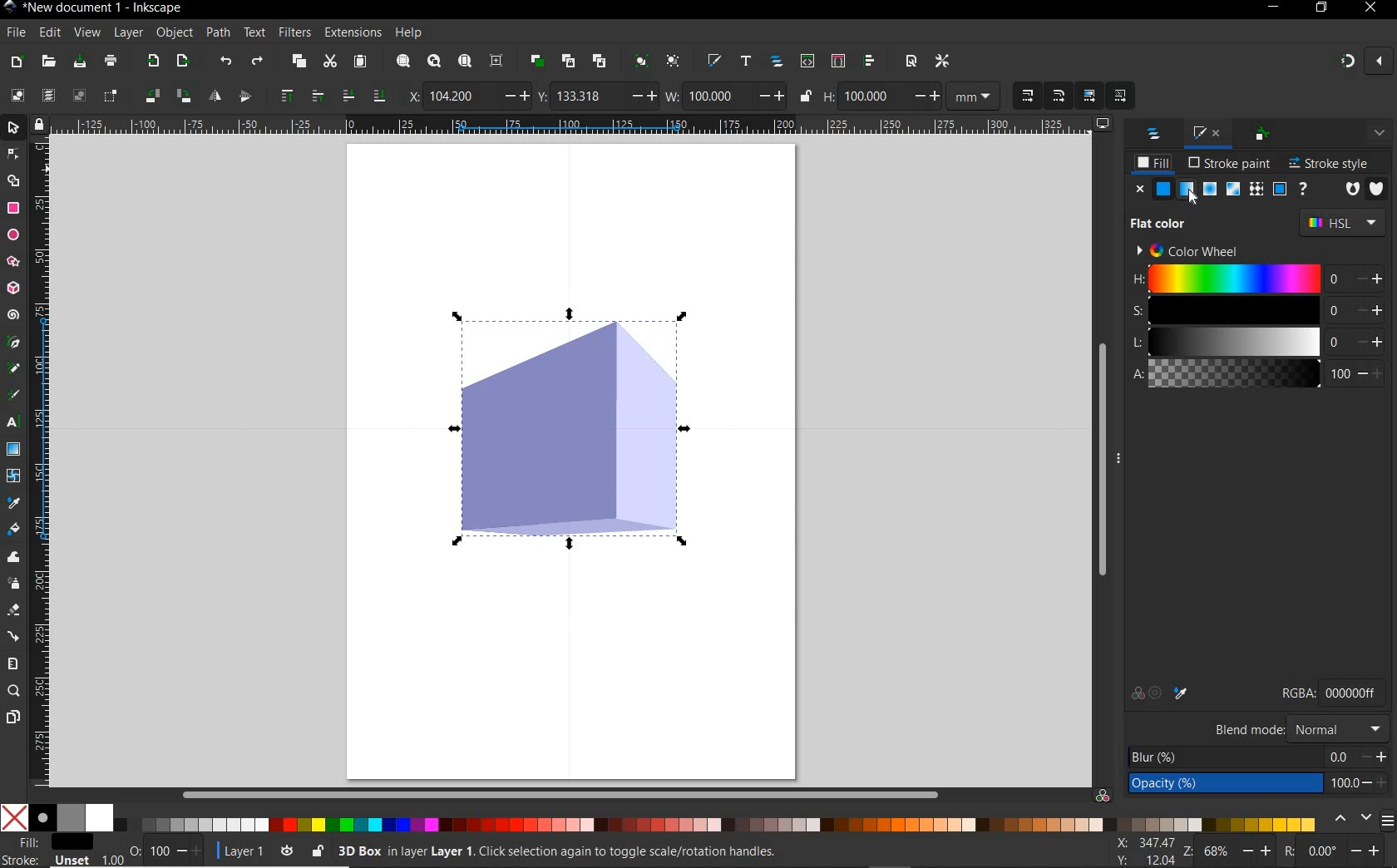 The image size is (1397, 868). Describe the element at coordinates (771, 96) in the screenshot. I see `increase/decrease` at that location.